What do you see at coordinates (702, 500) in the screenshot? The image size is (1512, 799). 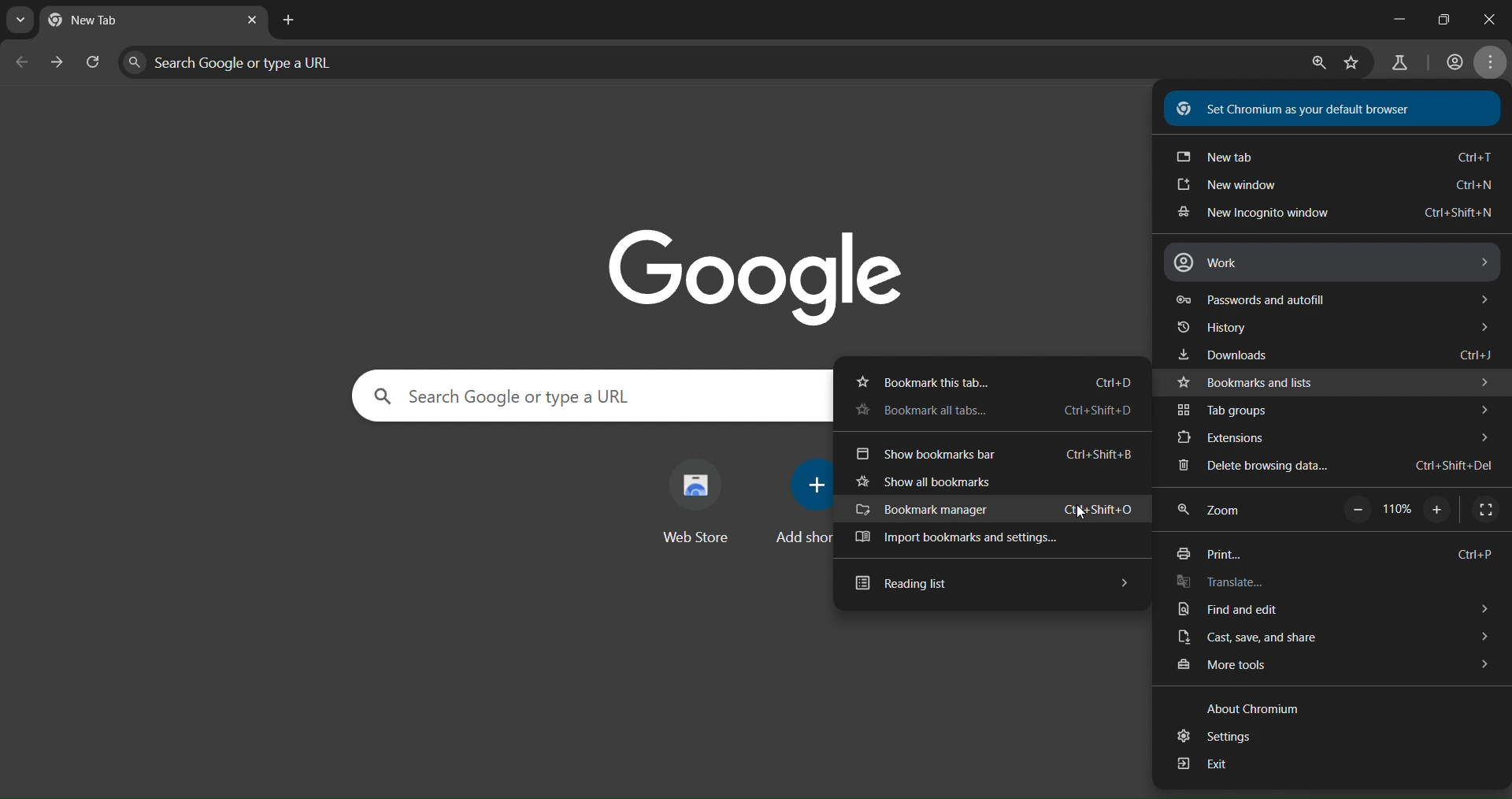 I see `web store` at bounding box center [702, 500].